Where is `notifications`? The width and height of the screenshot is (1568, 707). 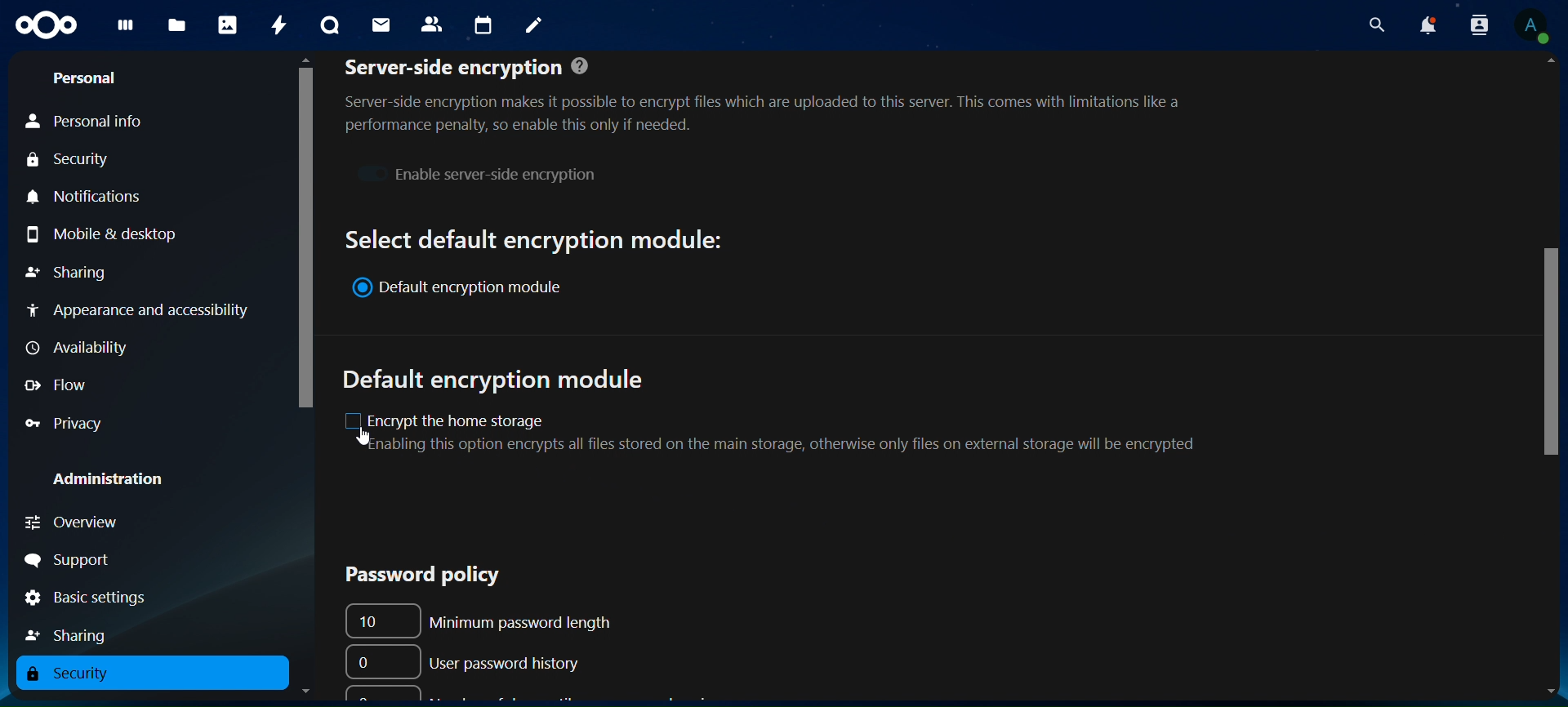
notifications is located at coordinates (87, 196).